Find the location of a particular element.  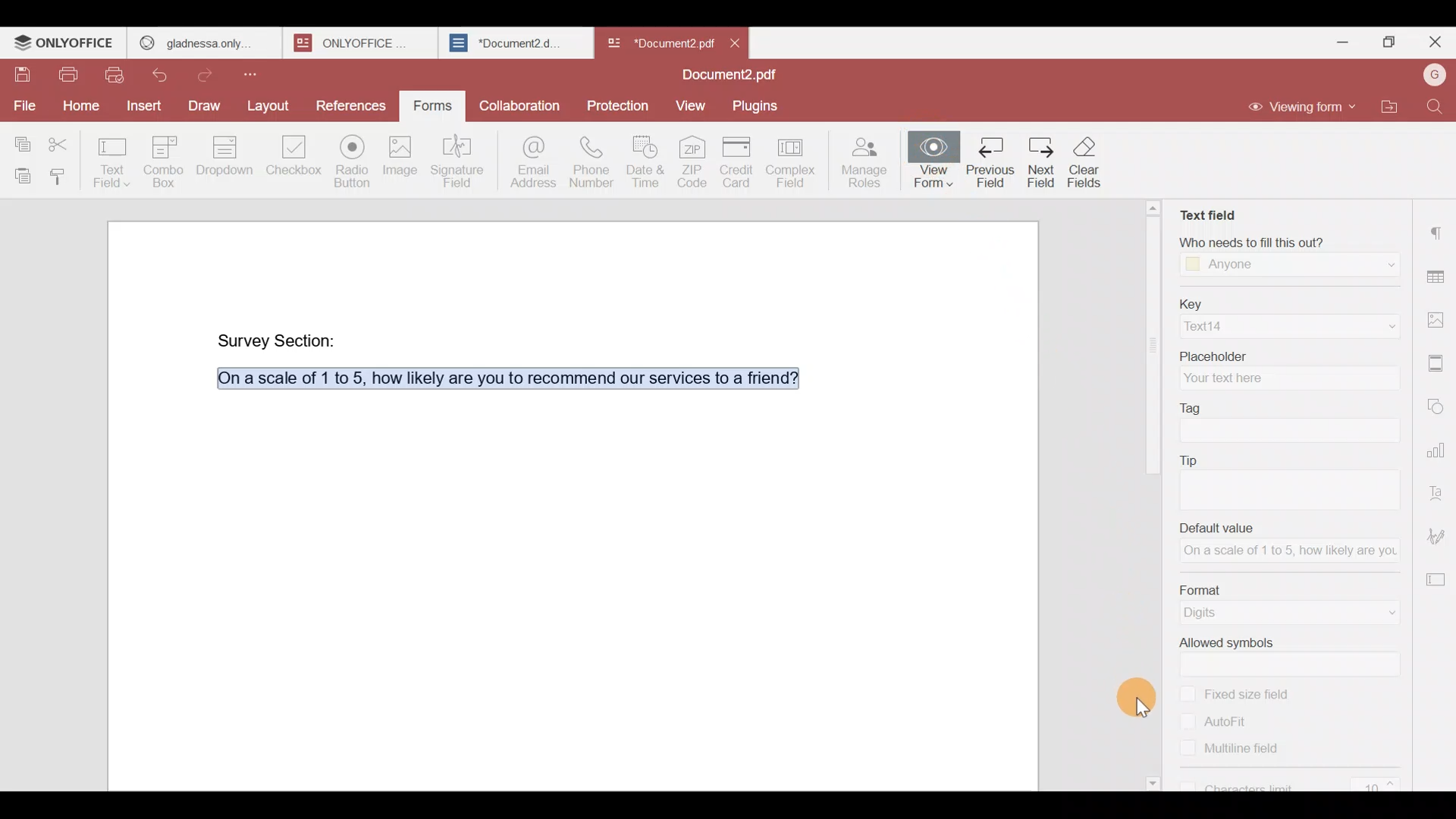

text is located at coordinates (1293, 488).